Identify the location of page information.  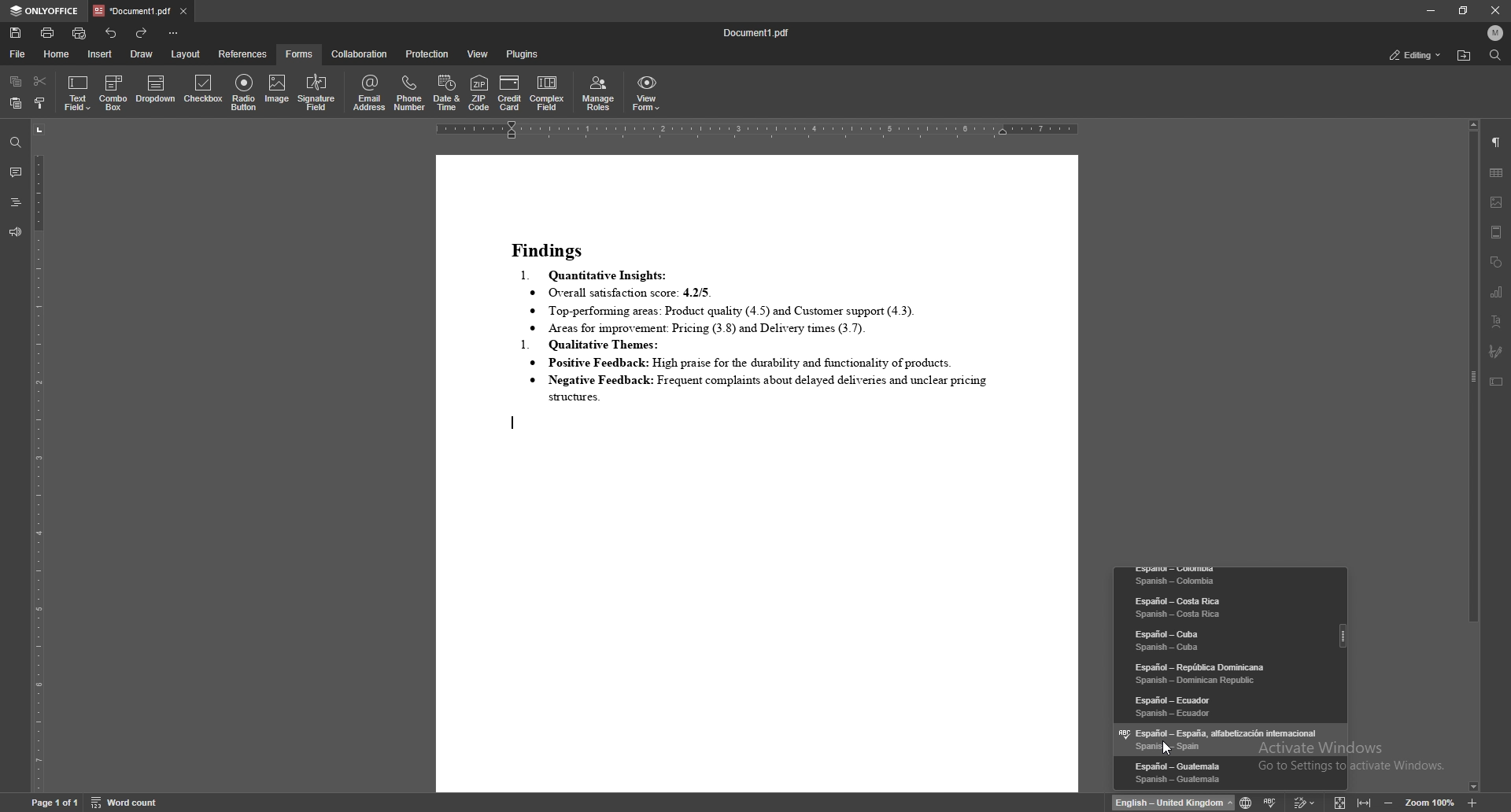
(53, 804).